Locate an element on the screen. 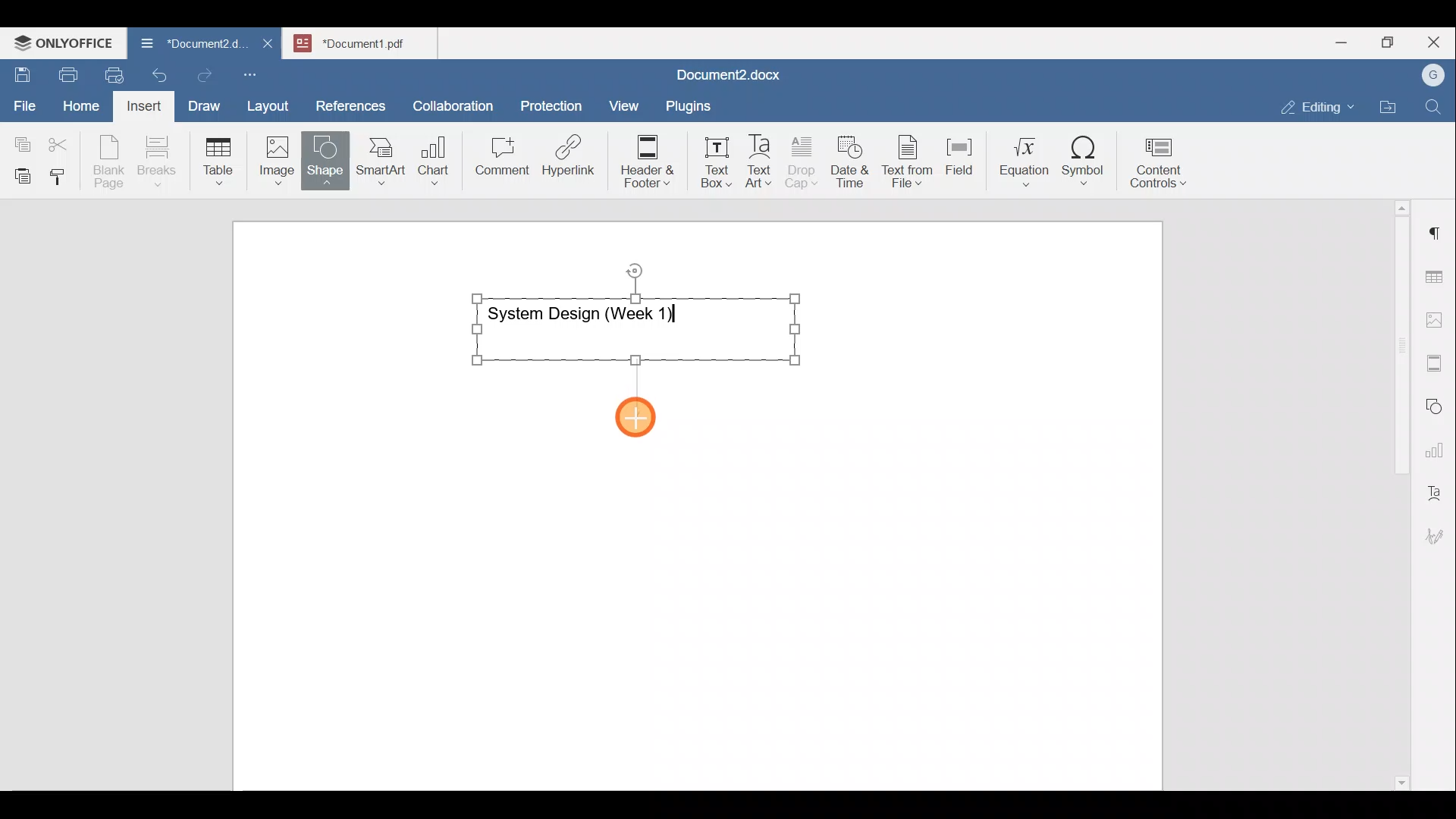  Close is located at coordinates (1436, 43).